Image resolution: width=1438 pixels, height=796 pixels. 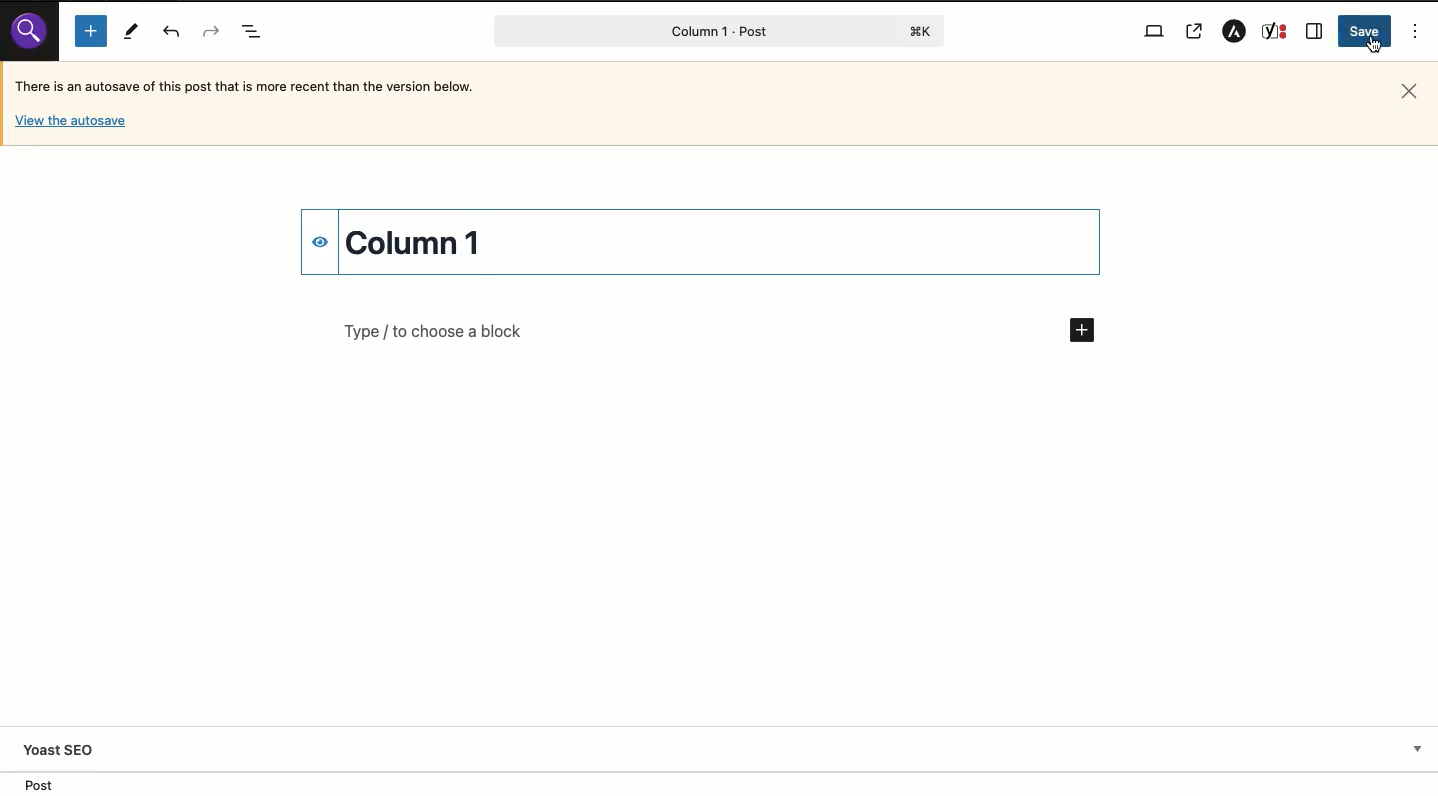 What do you see at coordinates (1195, 33) in the screenshot?
I see `View post` at bounding box center [1195, 33].